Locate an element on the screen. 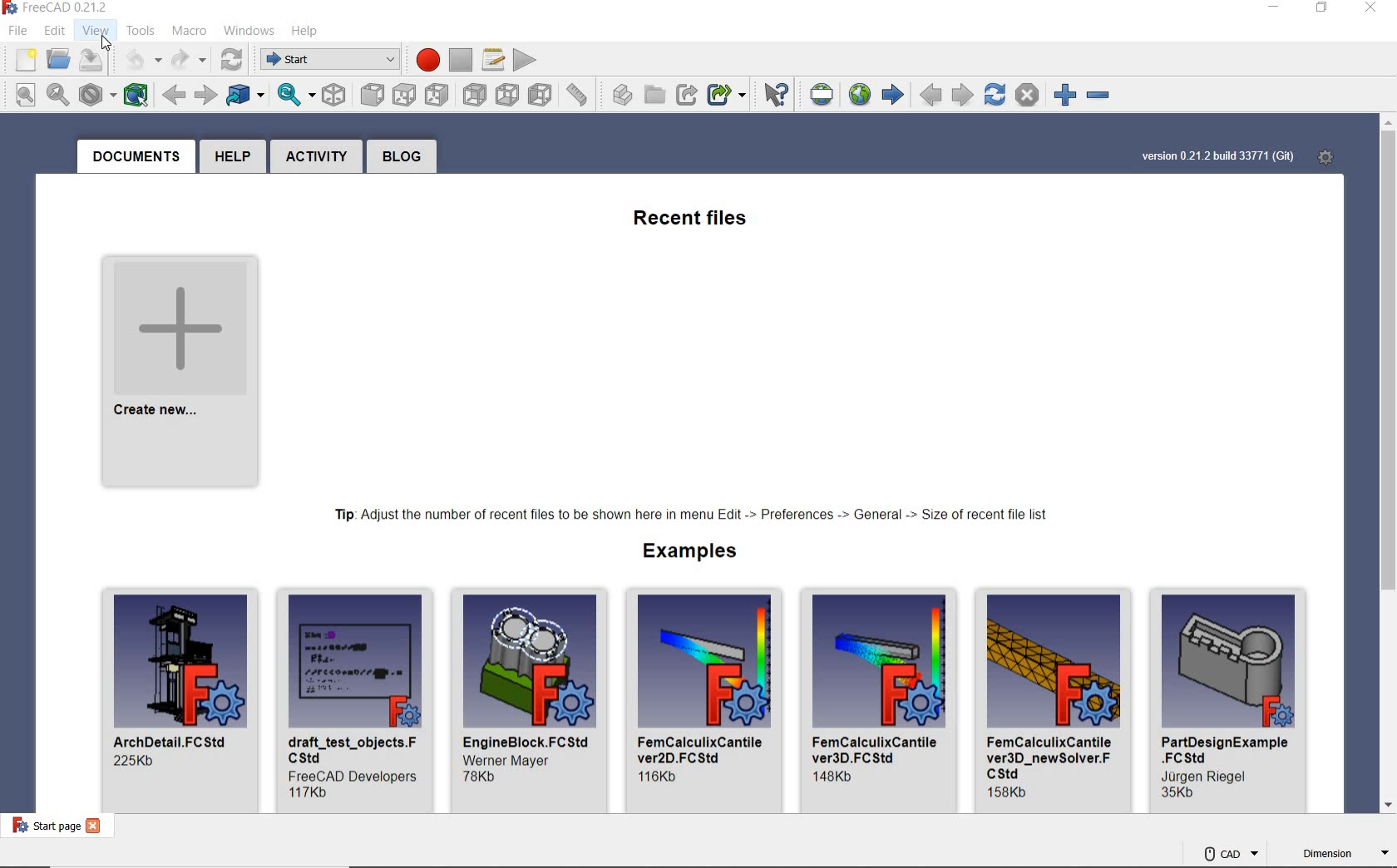 The image size is (1397, 868). set URL is located at coordinates (819, 96).